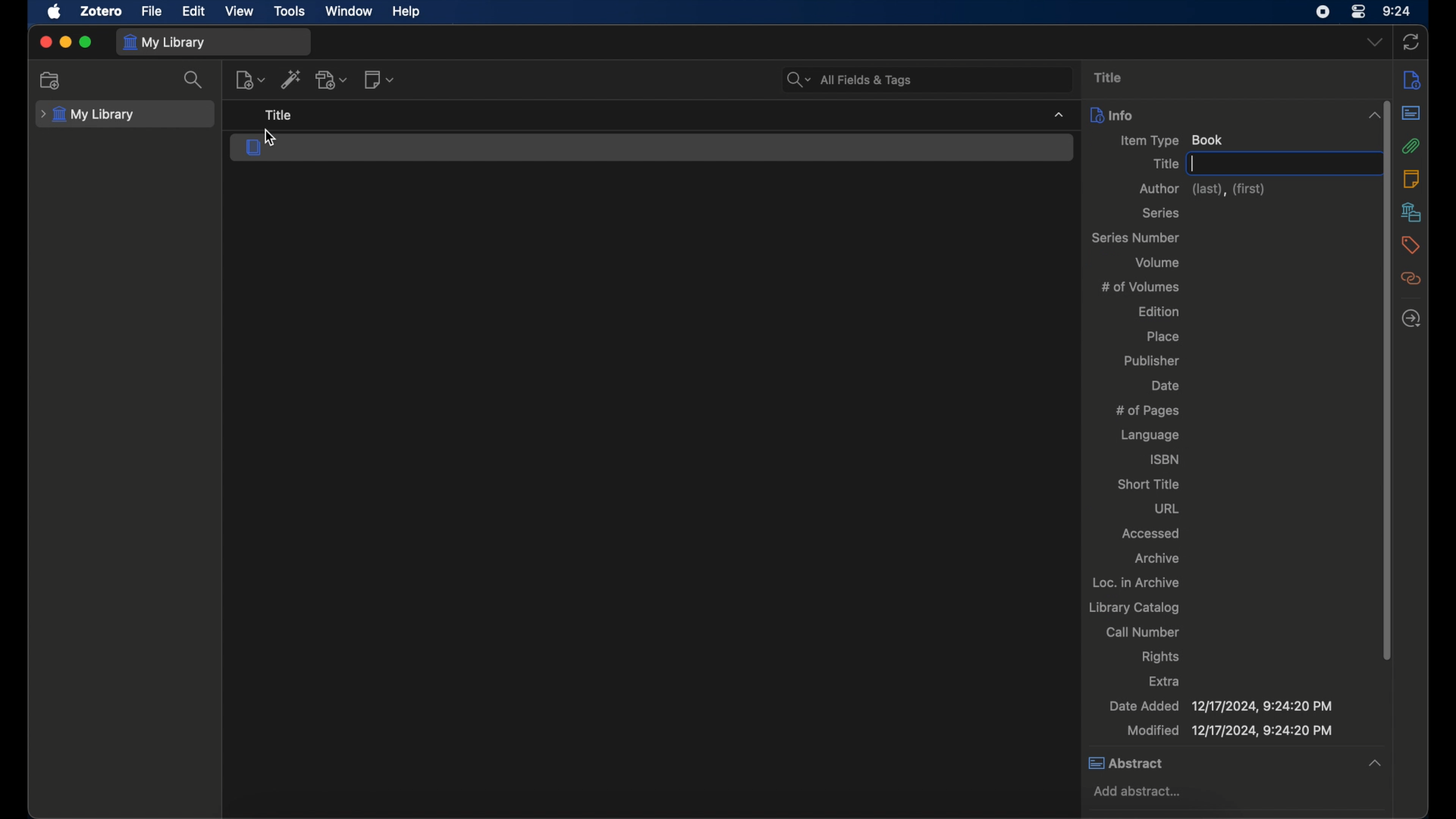  I want to click on zotero, so click(100, 11).